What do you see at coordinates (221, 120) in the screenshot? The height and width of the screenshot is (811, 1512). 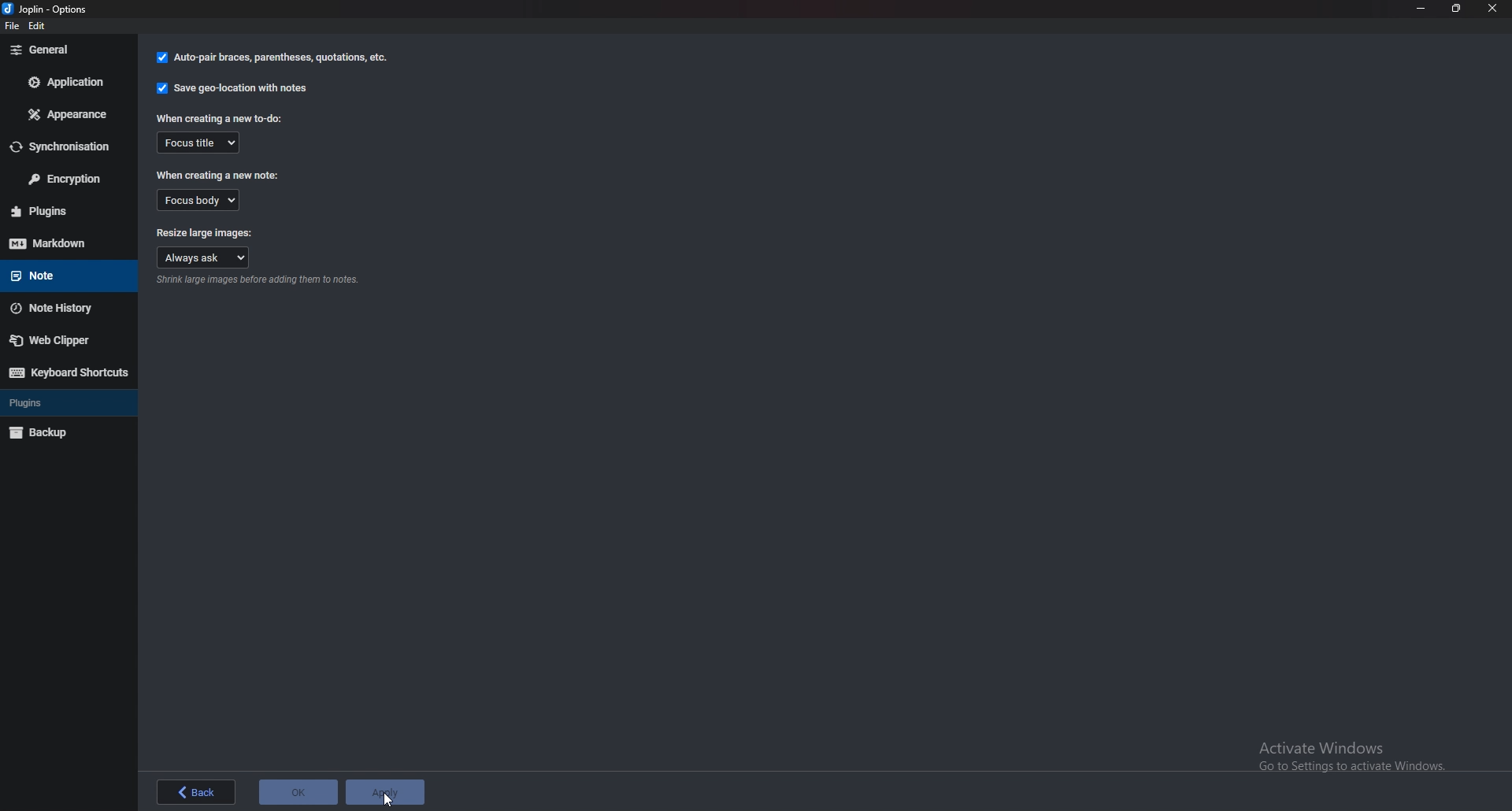 I see `When creating a new to do` at bounding box center [221, 120].